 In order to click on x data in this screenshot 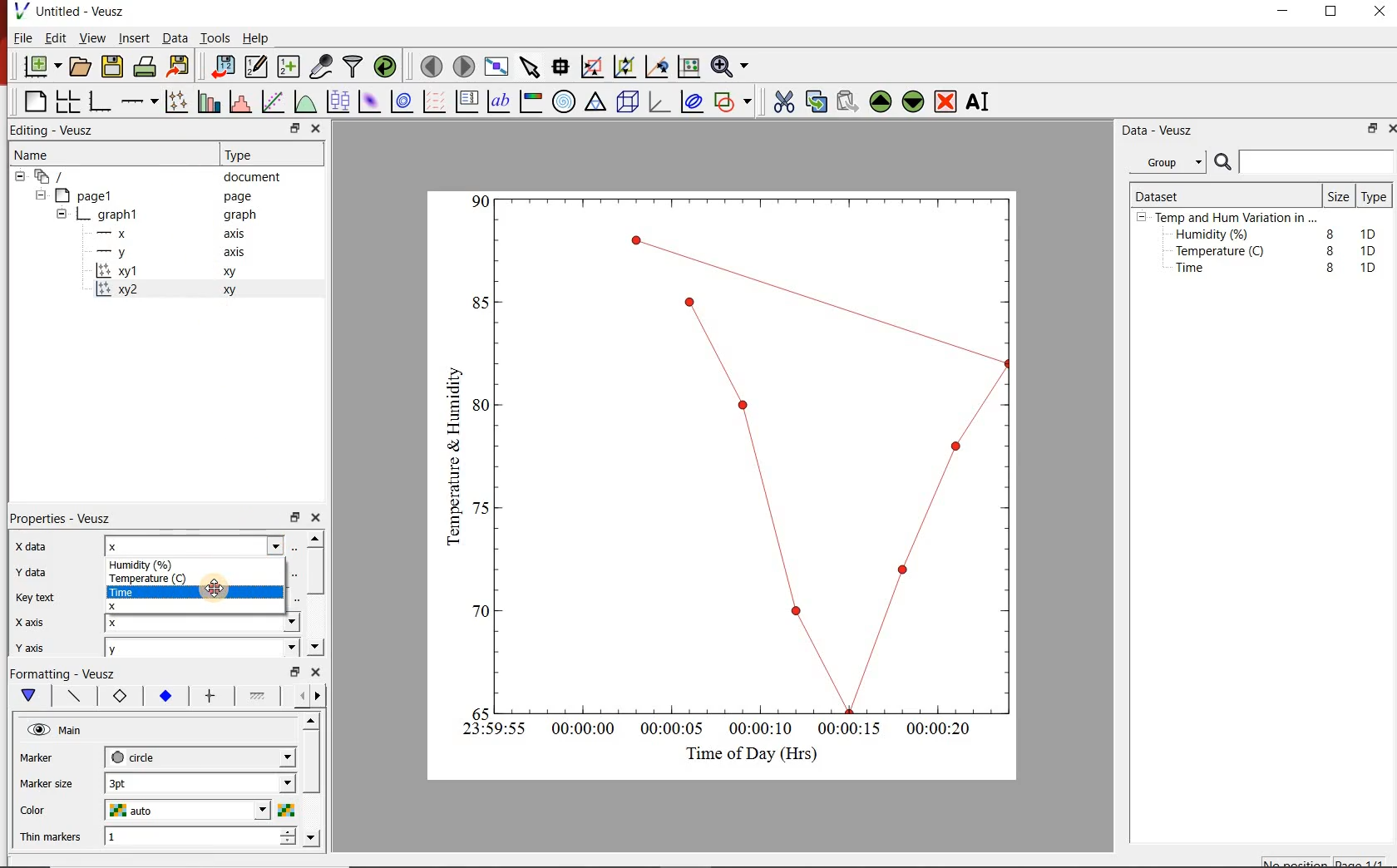, I will do `click(42, 542)`.